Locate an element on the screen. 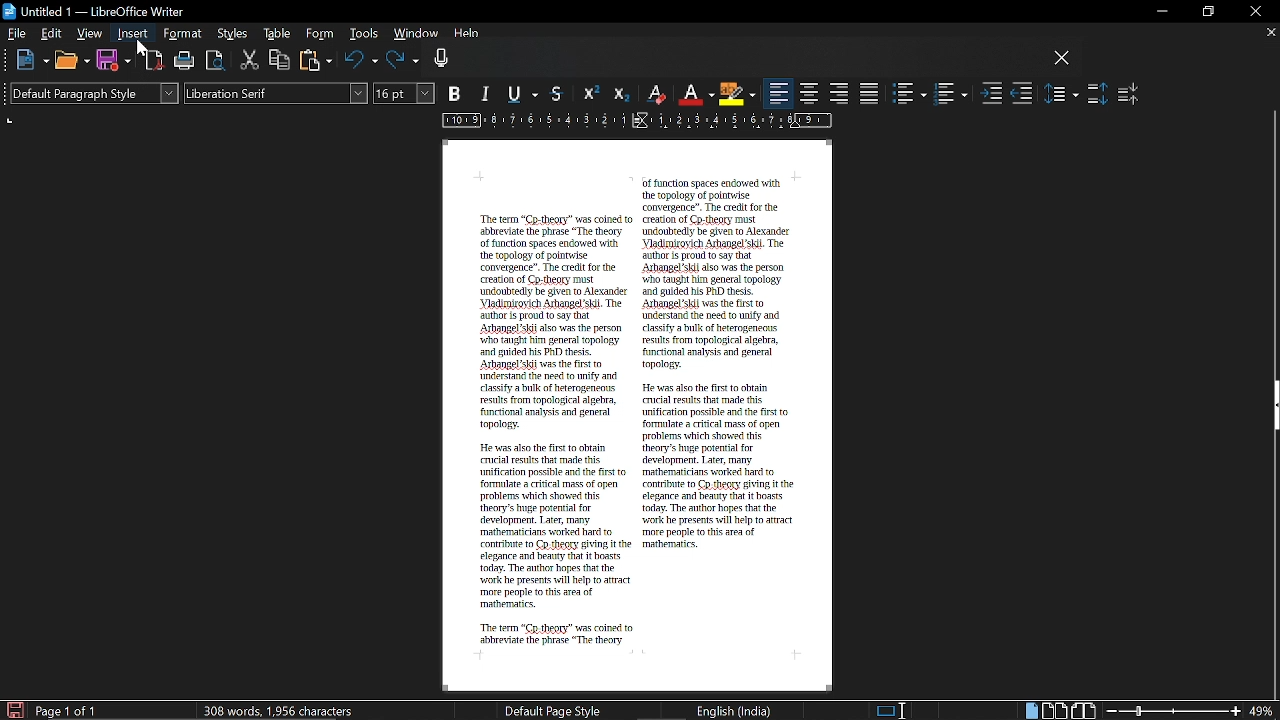 This screenshot has width=1280, height=720. toggle unordered list is located at coordinates (910, 94).